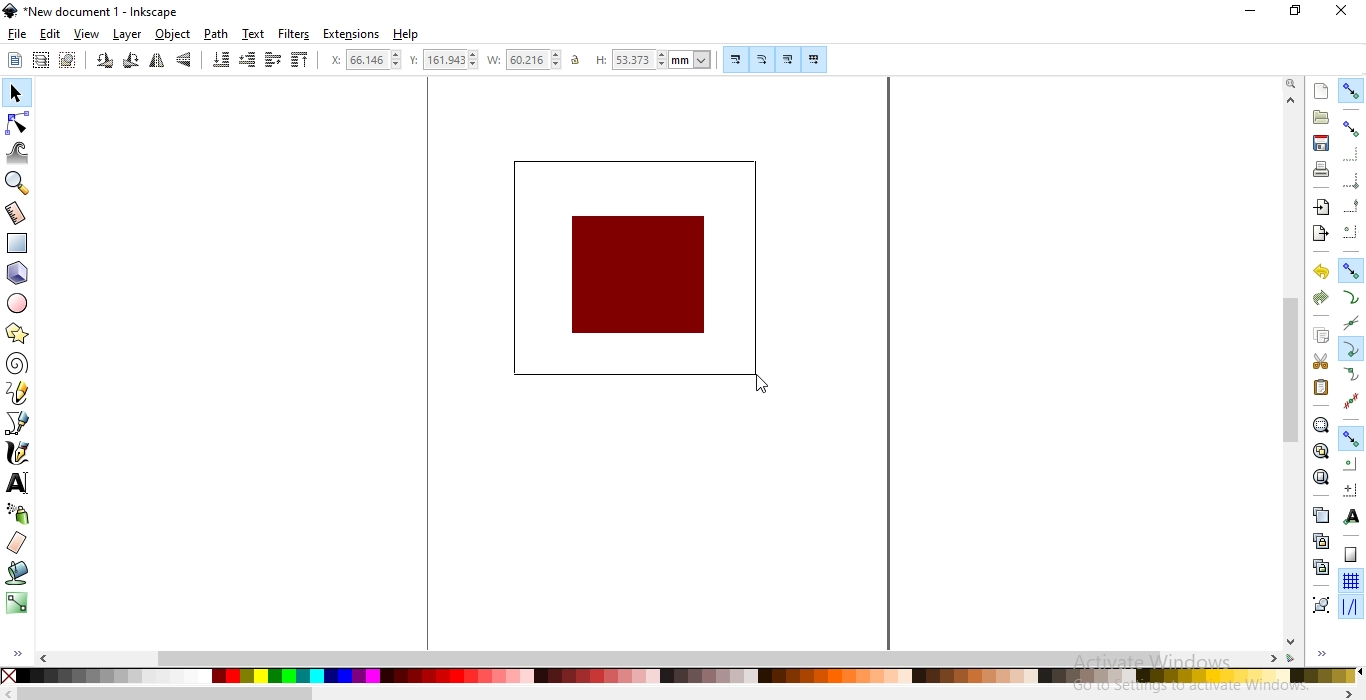 The height and width of the screenshot is (700, 1366). What do you see at coordinates (16, 93) in the screenshot?
I see `select and transform objects` at bounding box center [16, 93].